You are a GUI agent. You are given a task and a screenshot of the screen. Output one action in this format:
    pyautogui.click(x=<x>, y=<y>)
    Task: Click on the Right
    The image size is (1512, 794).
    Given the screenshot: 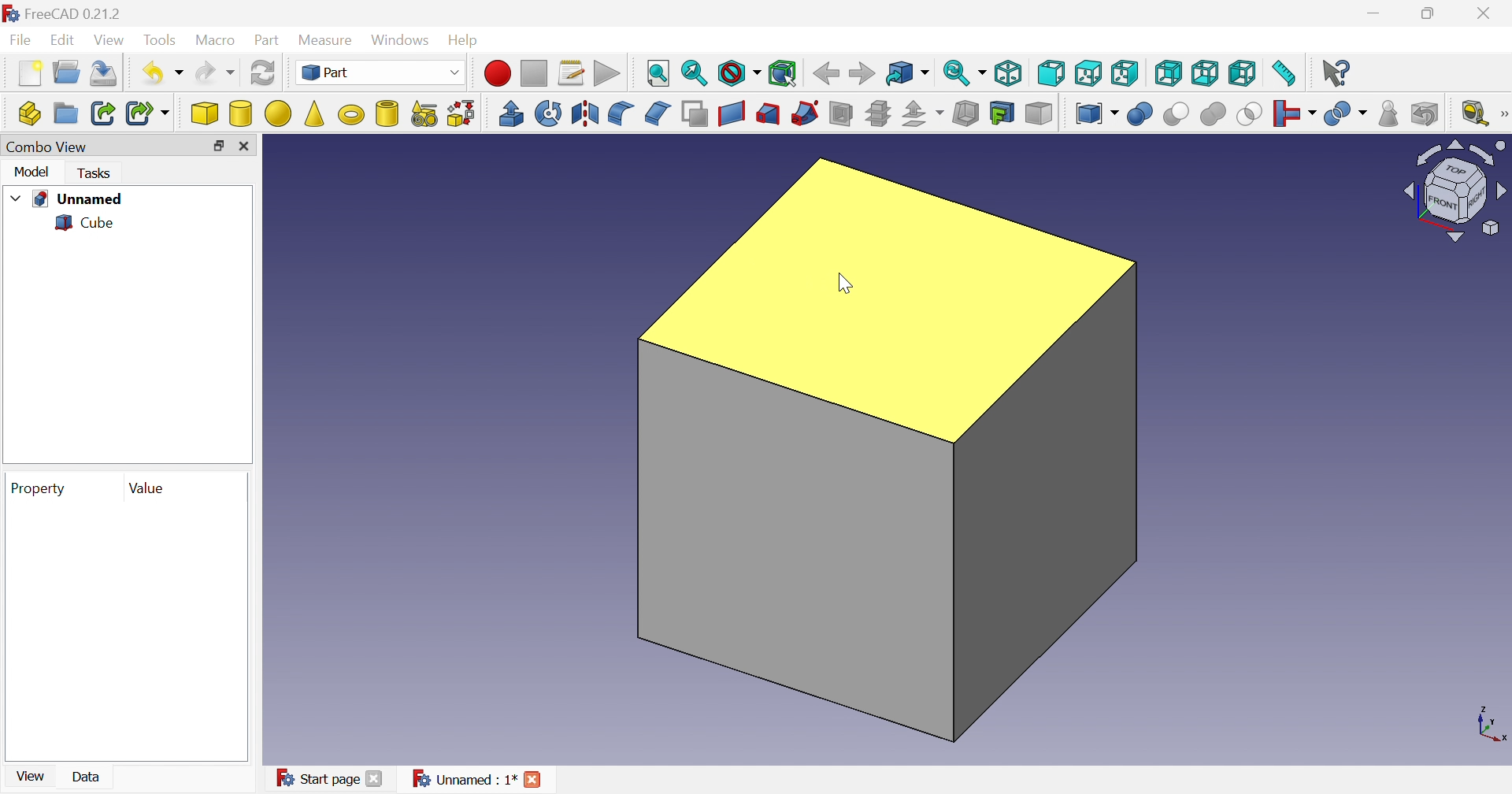 What is the action you would take?
    pyautogui.click(x=1125, y=72)
    